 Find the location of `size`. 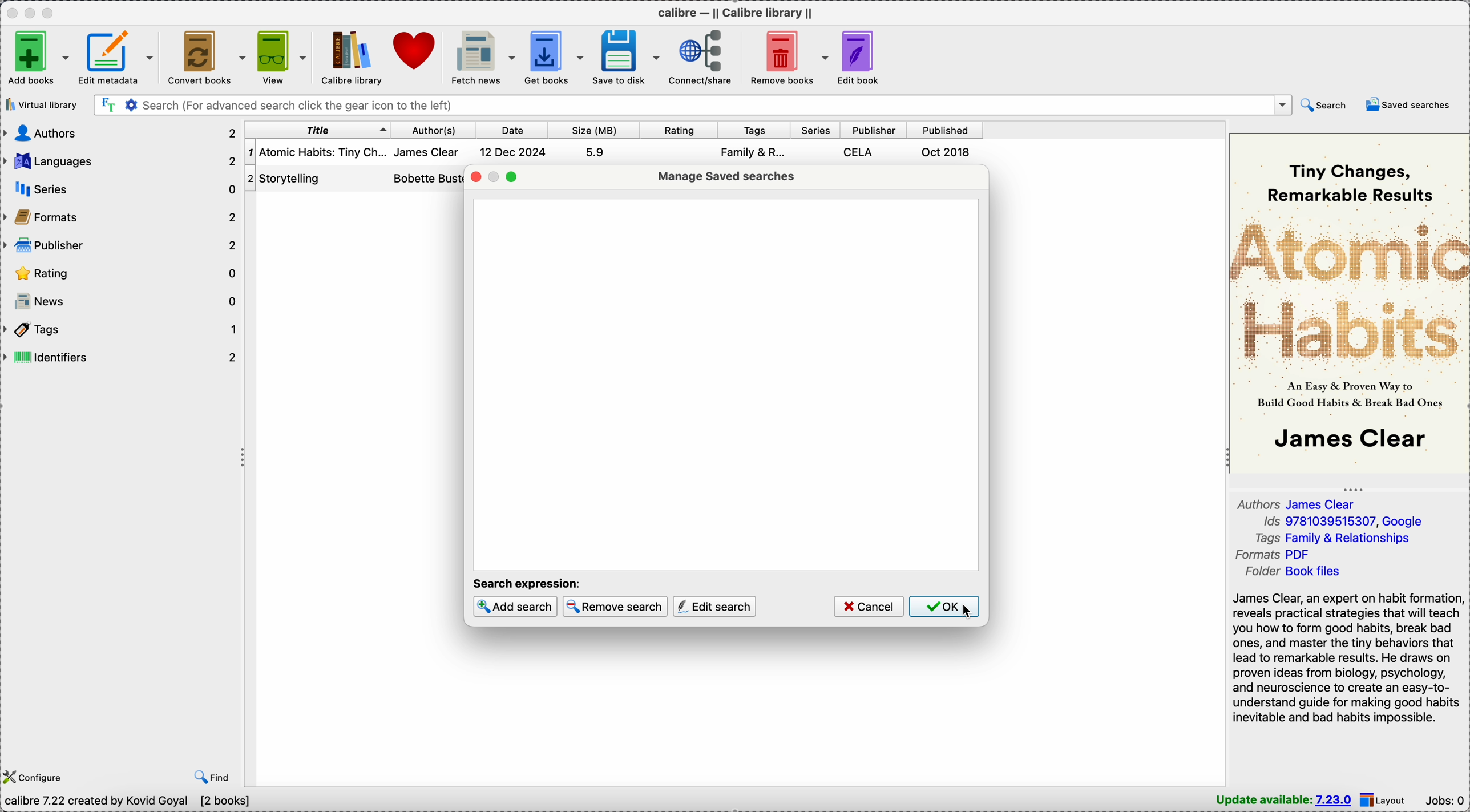

size is located at coordinates (589, 130).